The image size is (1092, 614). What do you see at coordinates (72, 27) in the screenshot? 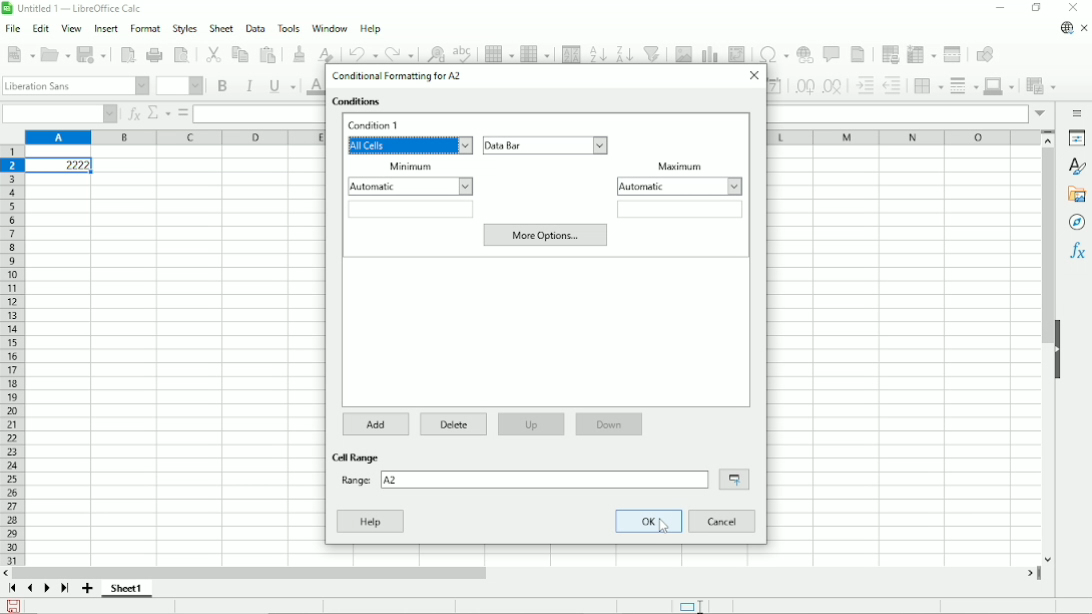
I see `View` at bounding box center [72, 27].